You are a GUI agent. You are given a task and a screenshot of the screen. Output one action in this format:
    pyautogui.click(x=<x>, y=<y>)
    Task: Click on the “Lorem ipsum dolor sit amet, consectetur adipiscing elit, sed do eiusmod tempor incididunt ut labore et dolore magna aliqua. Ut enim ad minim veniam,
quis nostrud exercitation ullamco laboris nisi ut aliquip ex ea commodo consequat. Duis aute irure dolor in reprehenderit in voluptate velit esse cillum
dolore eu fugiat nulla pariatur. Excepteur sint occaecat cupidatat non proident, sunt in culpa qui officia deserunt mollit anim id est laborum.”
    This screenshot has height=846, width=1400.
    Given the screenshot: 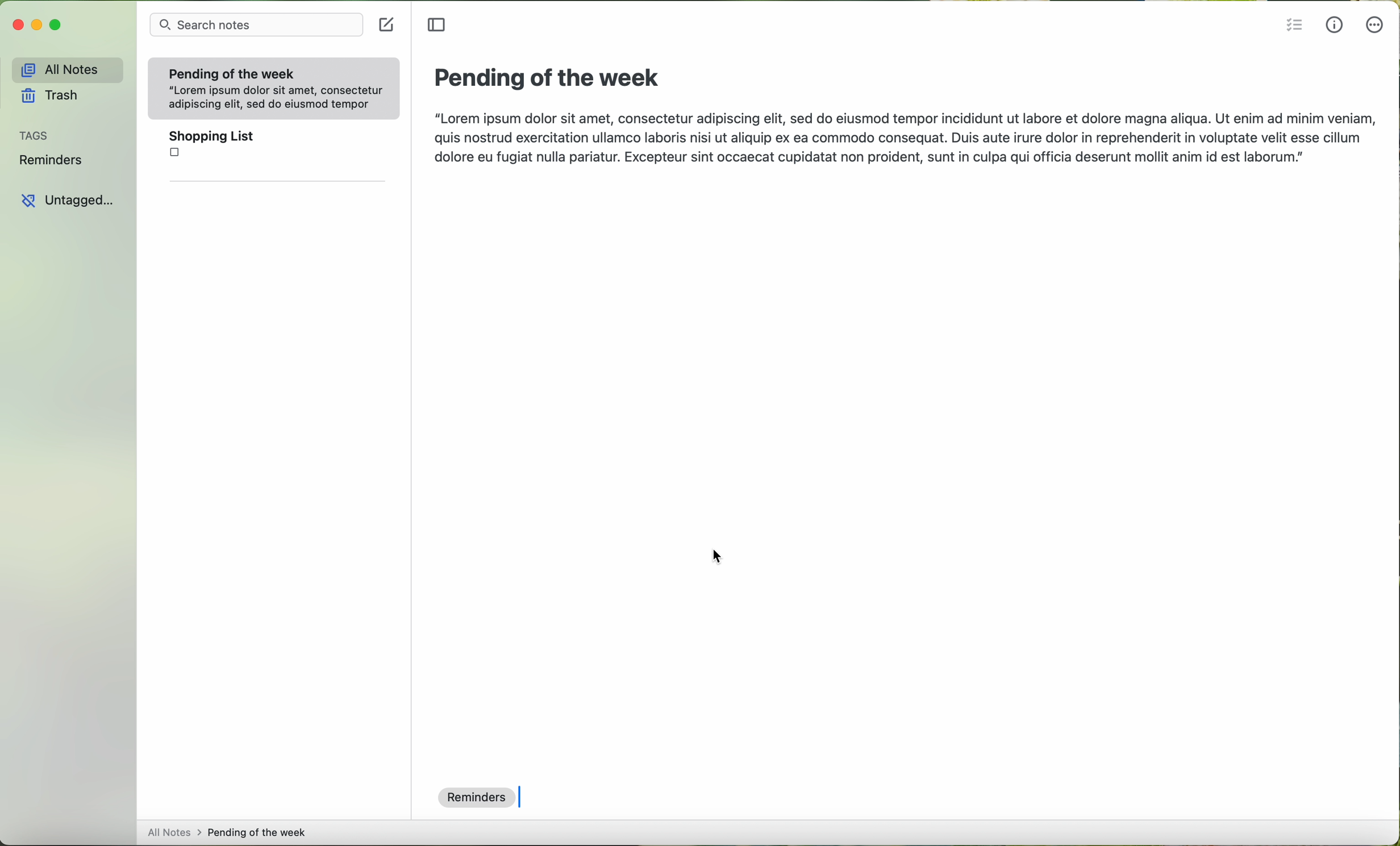 What is the action you would take?
    pyautogui.click(x=902, y=140)
    